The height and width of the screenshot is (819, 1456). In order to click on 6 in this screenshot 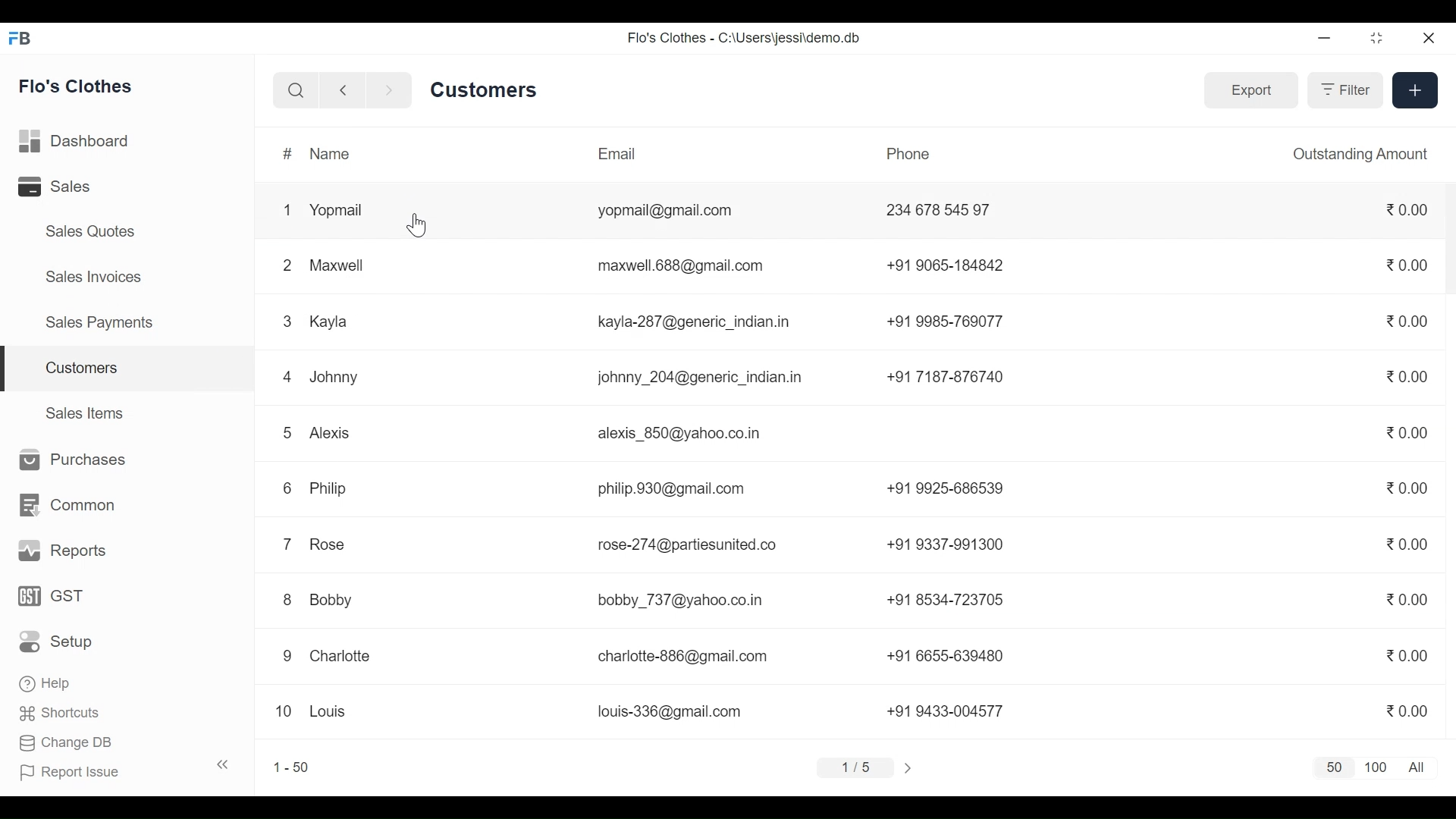, I will do `click(289, 488)`.